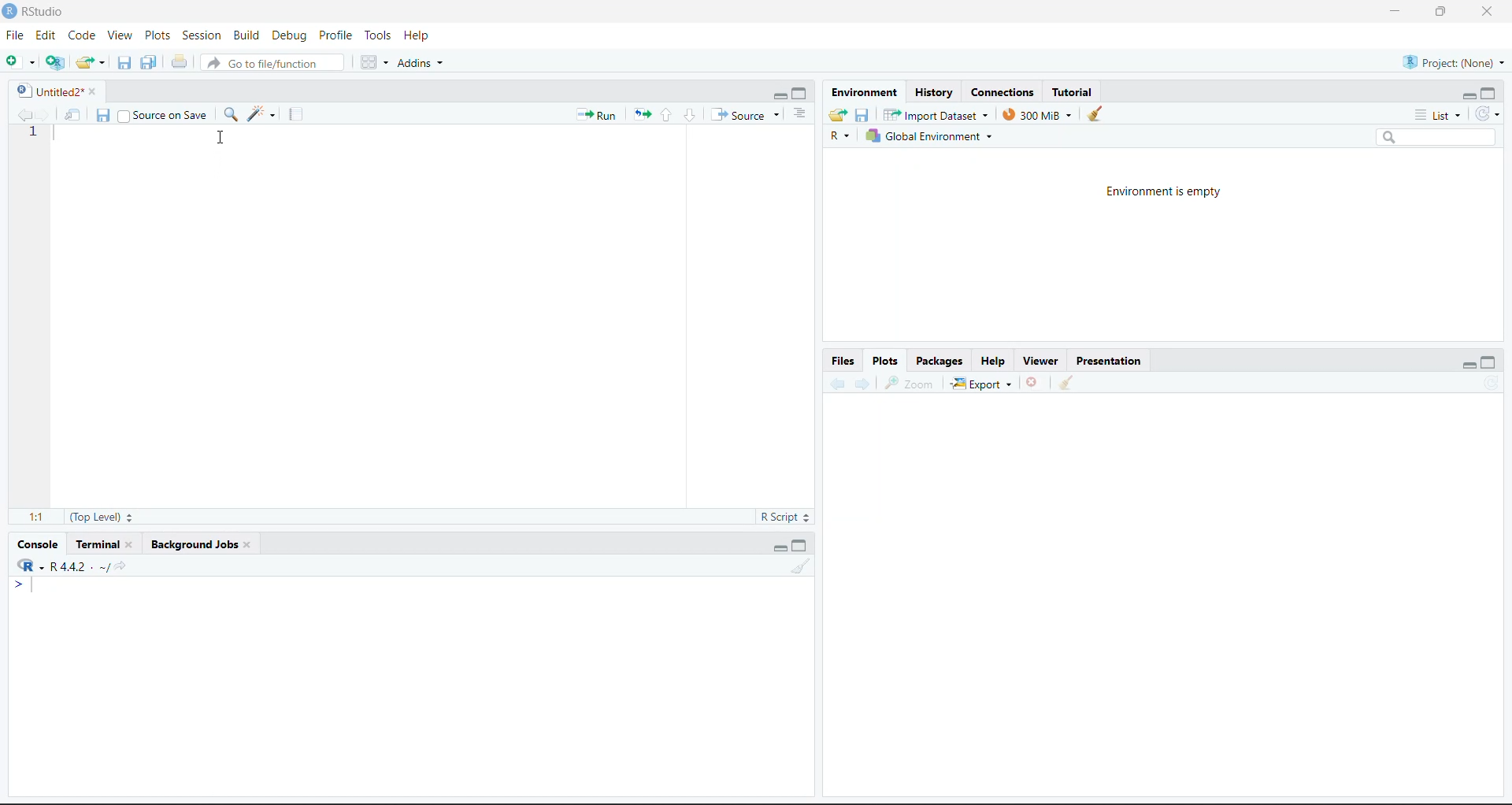 The height and width of the screenshot is (805, 1512). What do you see at coordinates (938, 113) in the screenshot?
I see ` import Dataset ` at bounding box center [938, 113].